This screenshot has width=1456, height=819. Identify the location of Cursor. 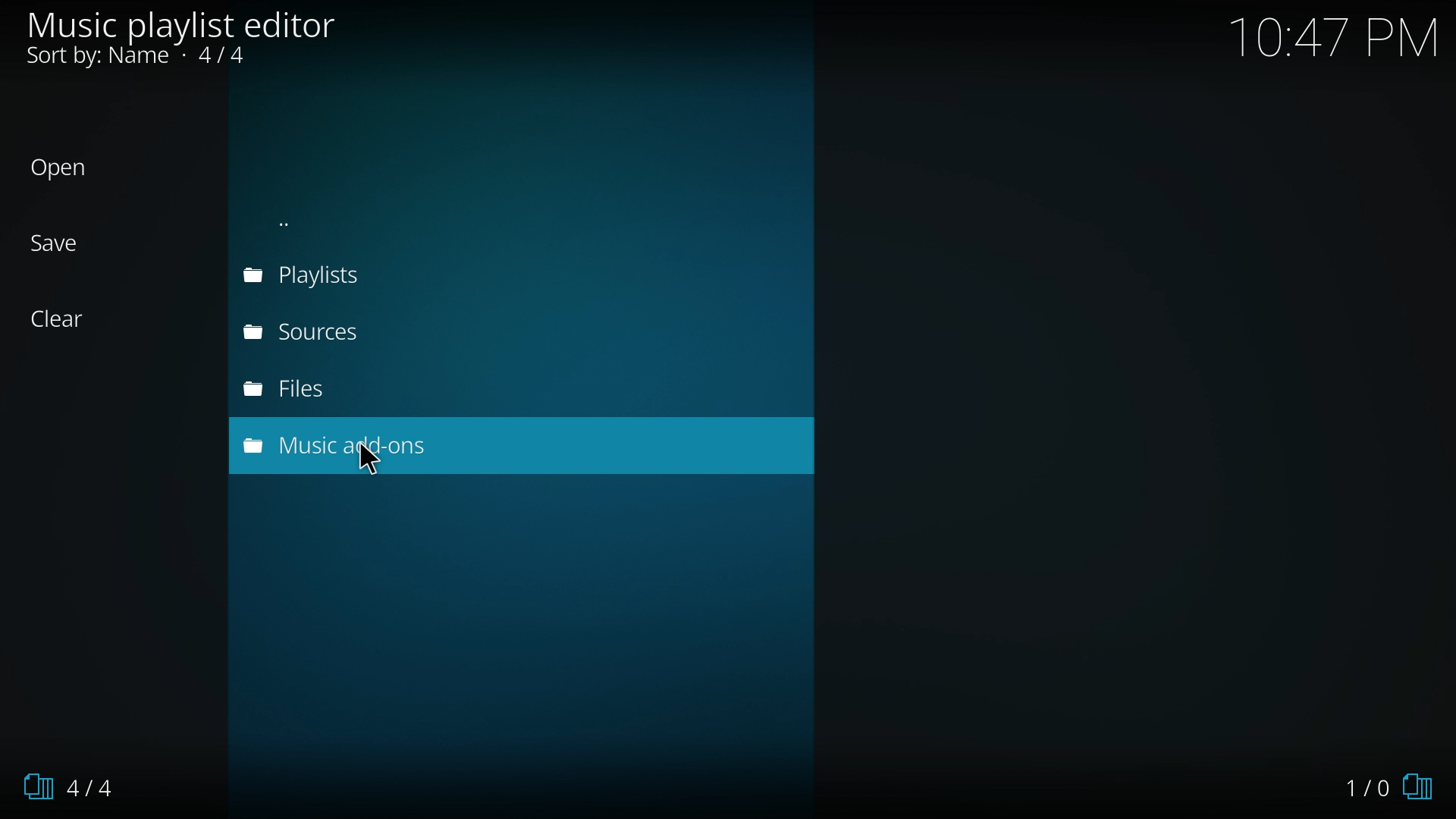
(384, 467).